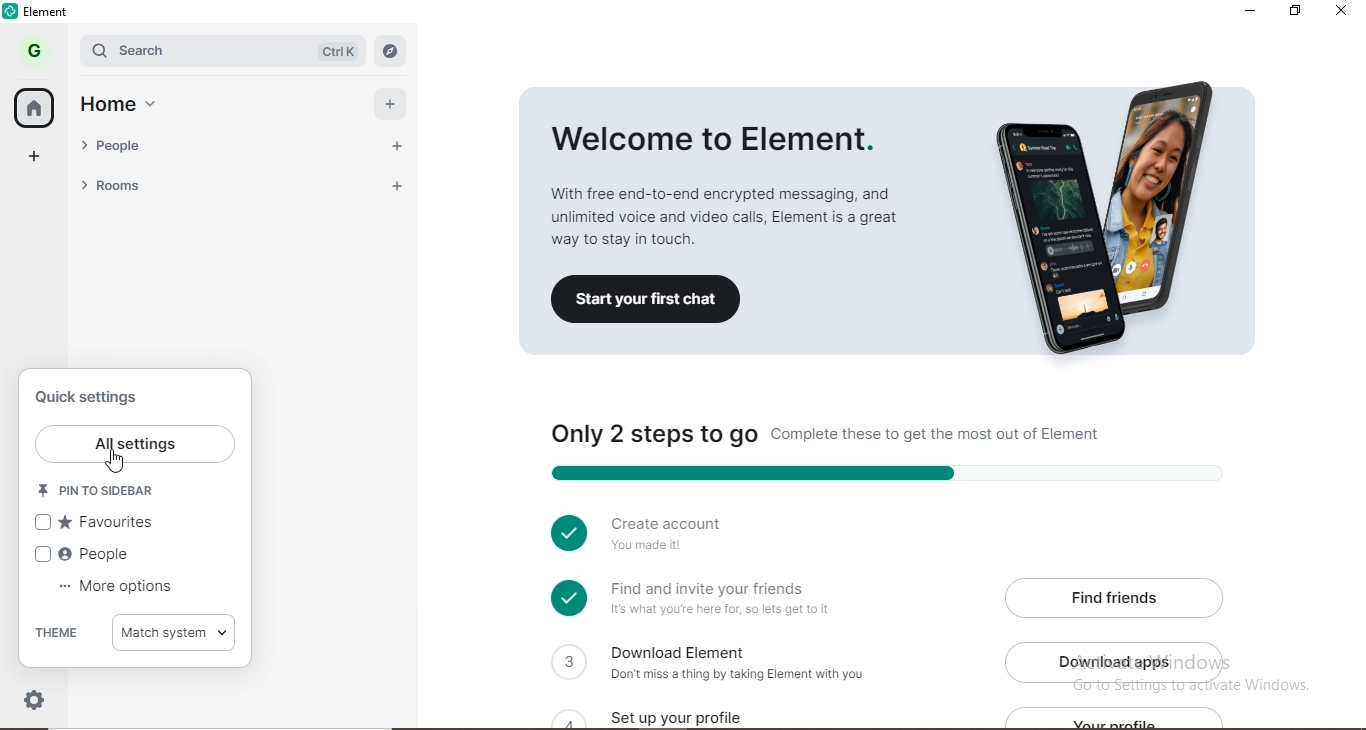  Describe the element at coordinates (164, 144) in the screenshot. I see `People` at that location.